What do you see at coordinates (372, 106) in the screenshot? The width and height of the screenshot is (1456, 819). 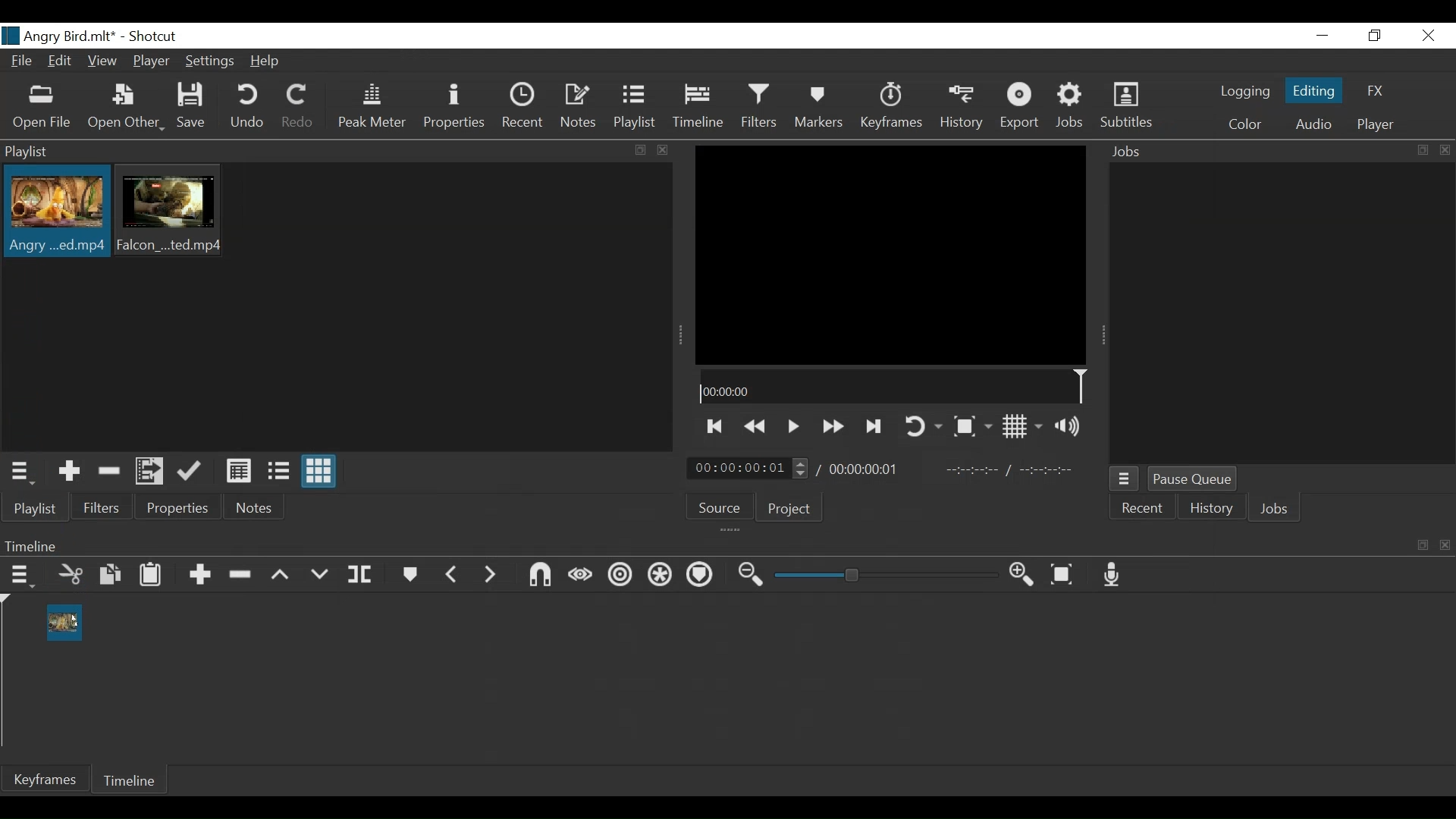 I see `Peak Meter` at bounding box center [372, 106].